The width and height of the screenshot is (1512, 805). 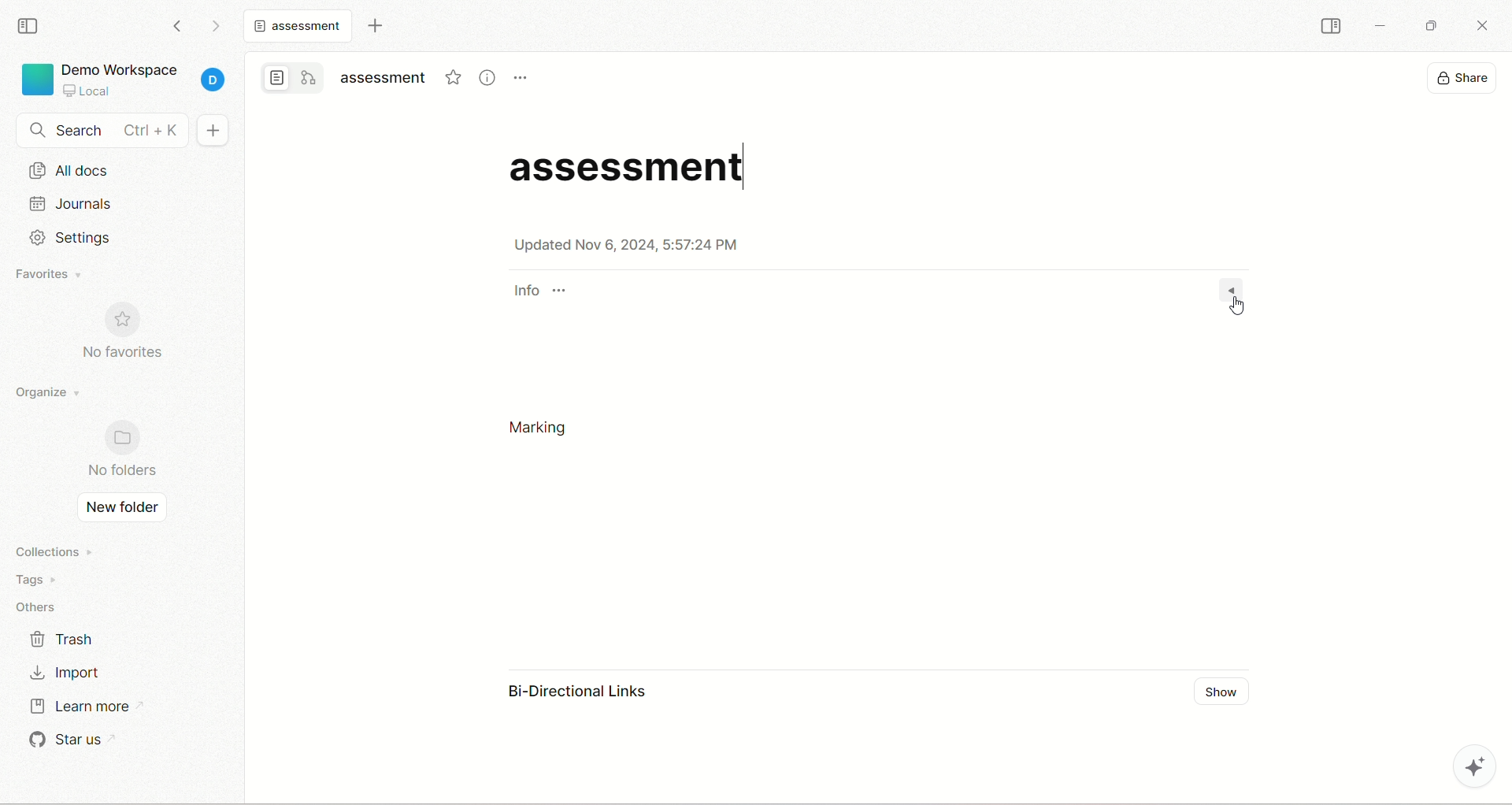 I want to click on profile, so click(x=215, y=76).